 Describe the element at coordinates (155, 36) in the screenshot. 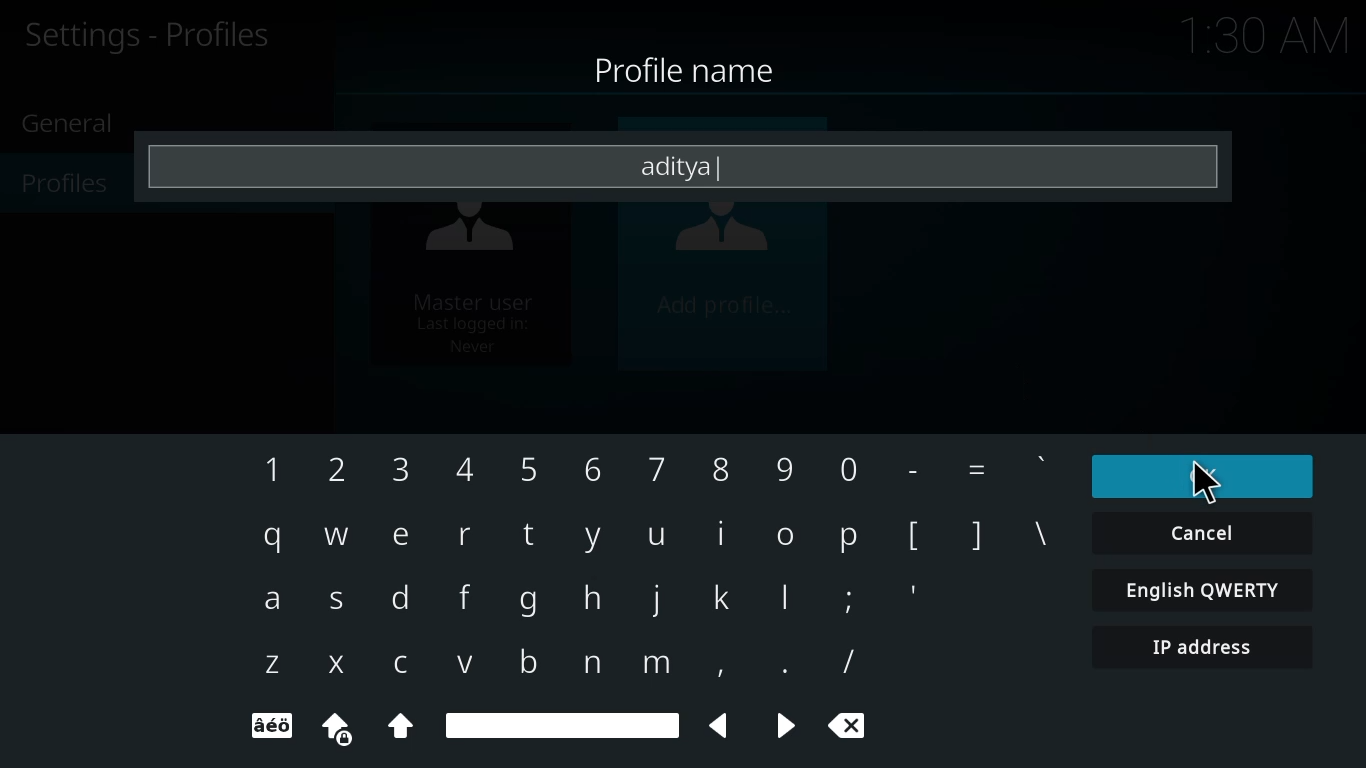

I see `profiles` at that location.